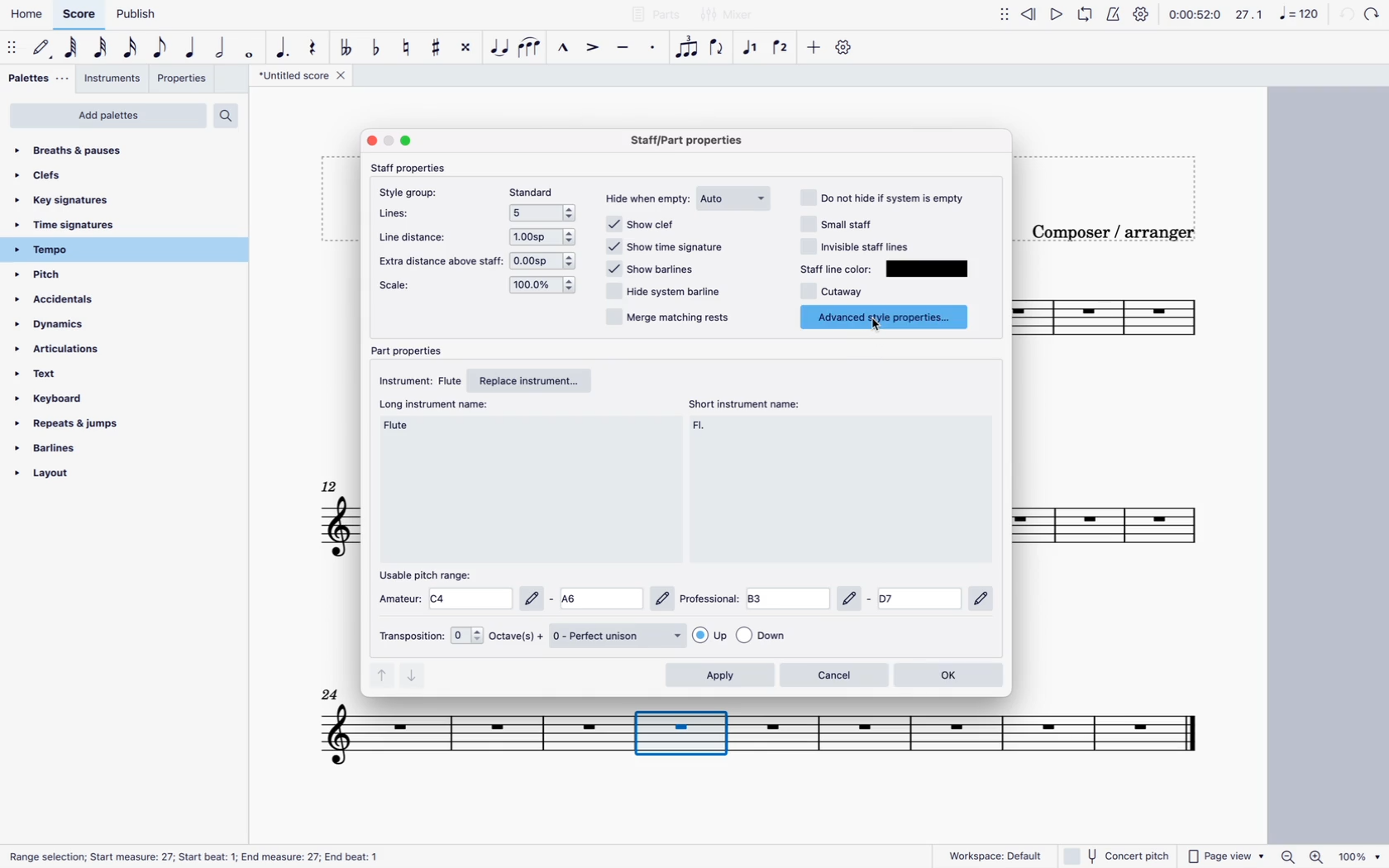 This screenshot has width=1389, height=868. Describe the element at coordinates (659, 293) in the screenshot. I see `hide system barline` at that location.